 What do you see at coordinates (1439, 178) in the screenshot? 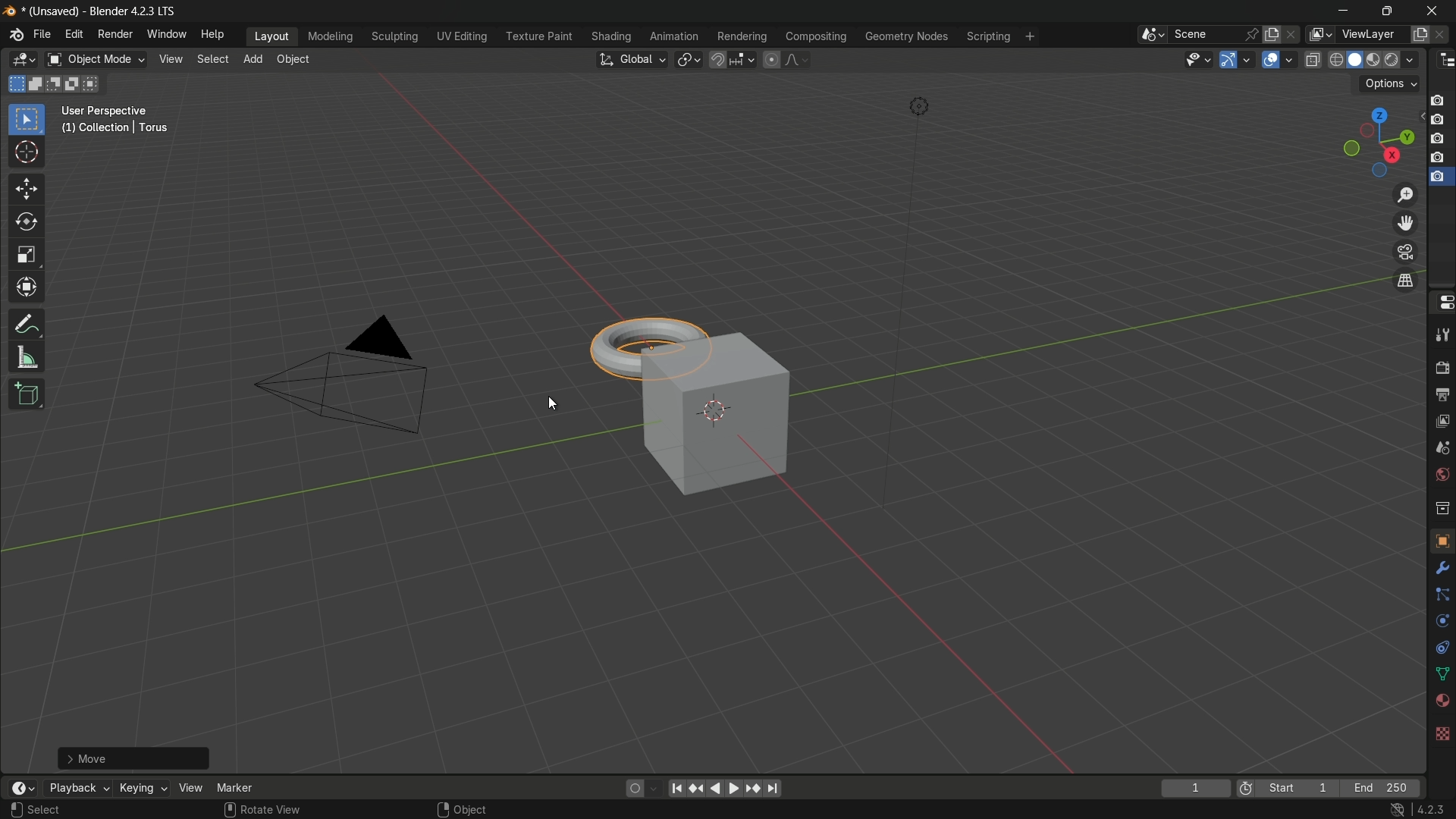
I see `selected layer 5` at bounding box center [1439, 178].